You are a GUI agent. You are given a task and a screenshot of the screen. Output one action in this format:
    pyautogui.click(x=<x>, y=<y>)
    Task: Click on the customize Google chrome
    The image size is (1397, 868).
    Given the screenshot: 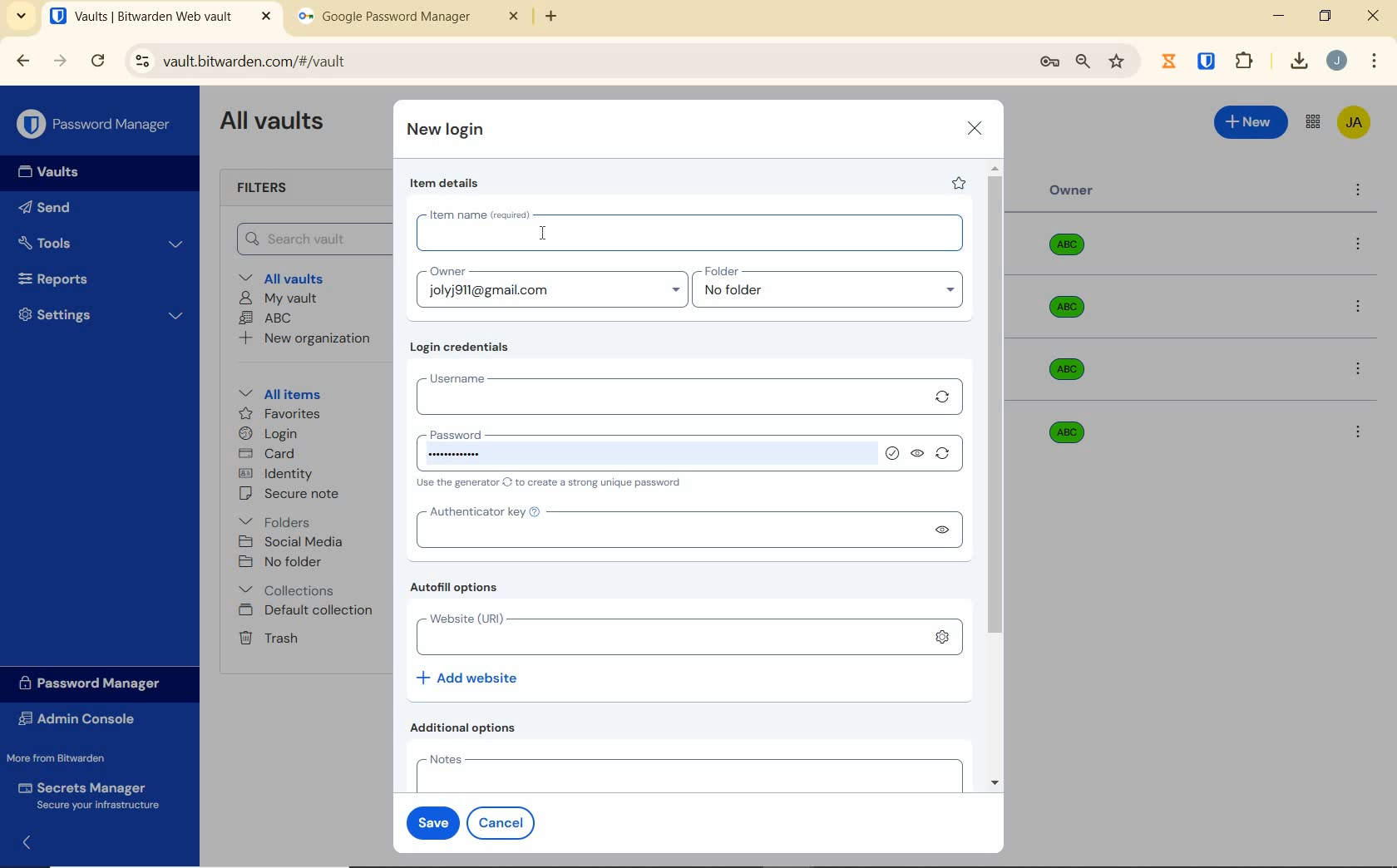 What is the action you would take?
    pyautogui.click(x=1375, y=62)
    